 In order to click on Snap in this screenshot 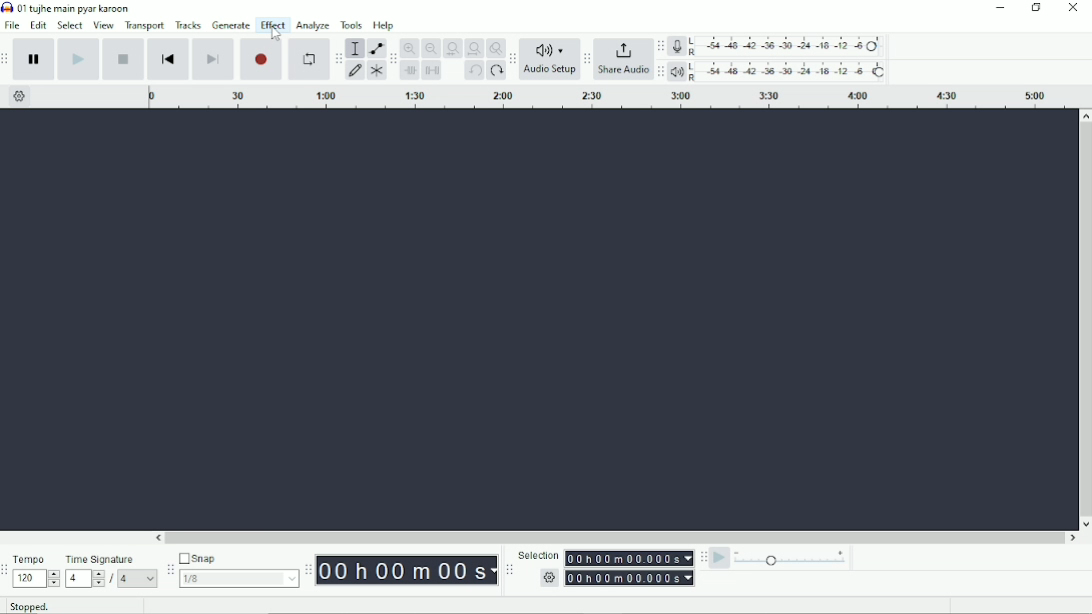, I will do `click(238, 570)`.